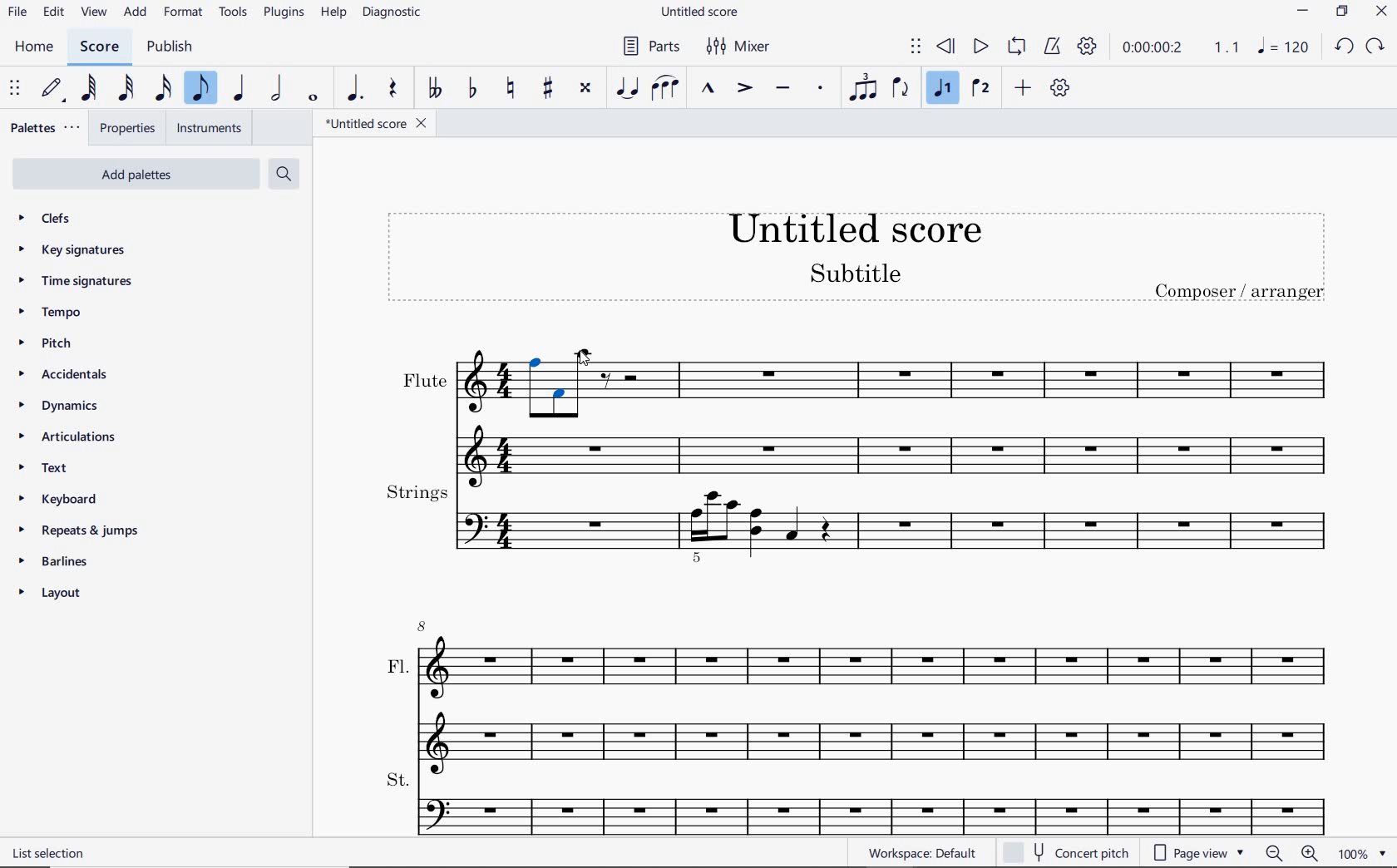 This screenshot has height=868, width=1397. Describe the element at coordinates (52, 853) in the screenshot. I see `LIST SELECTION` at that location.